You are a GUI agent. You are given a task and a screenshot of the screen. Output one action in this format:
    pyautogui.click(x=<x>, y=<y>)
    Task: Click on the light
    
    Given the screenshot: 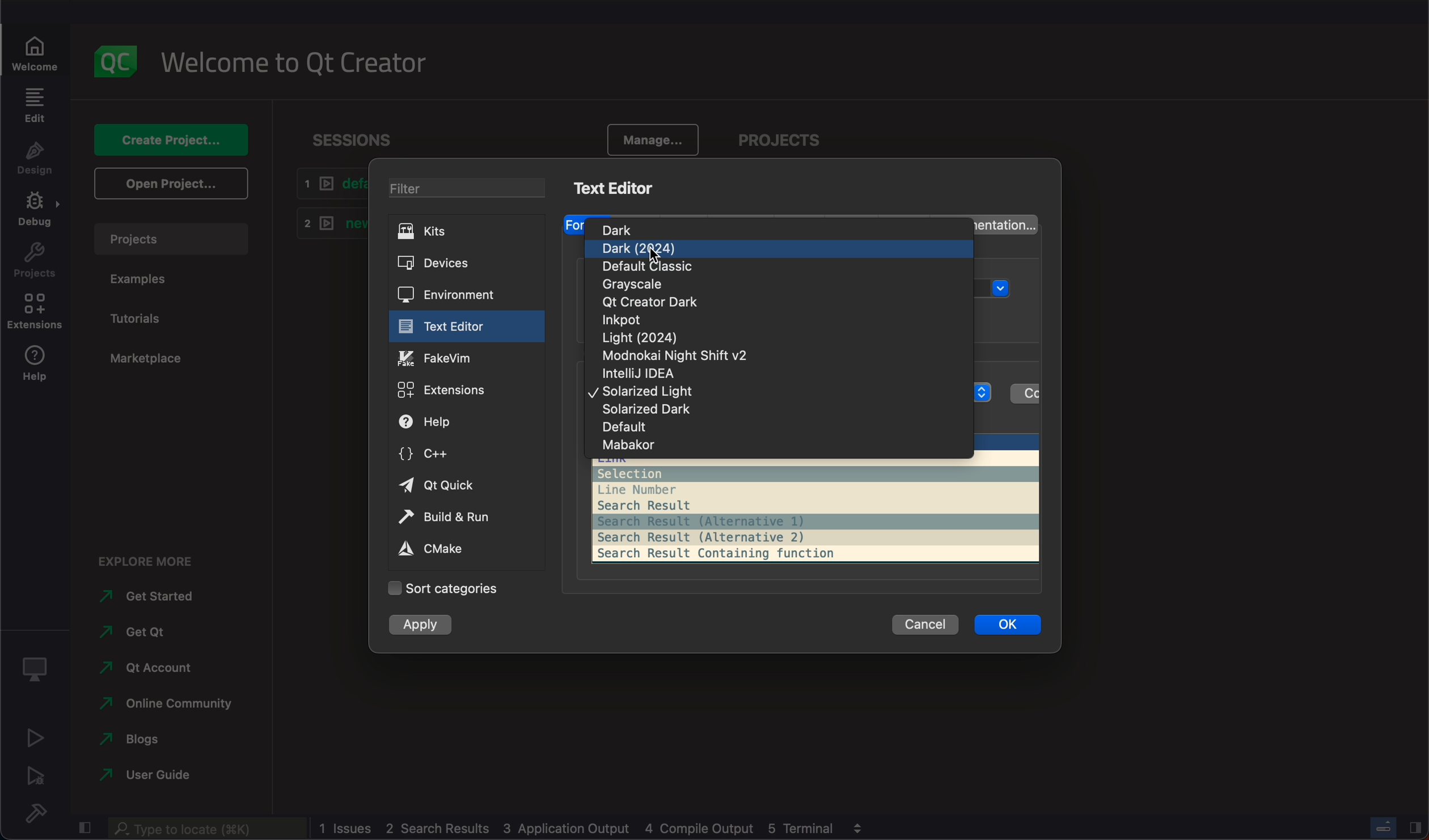 What is the action you would take?
    pyautogui.click(x=643, y=392)
    